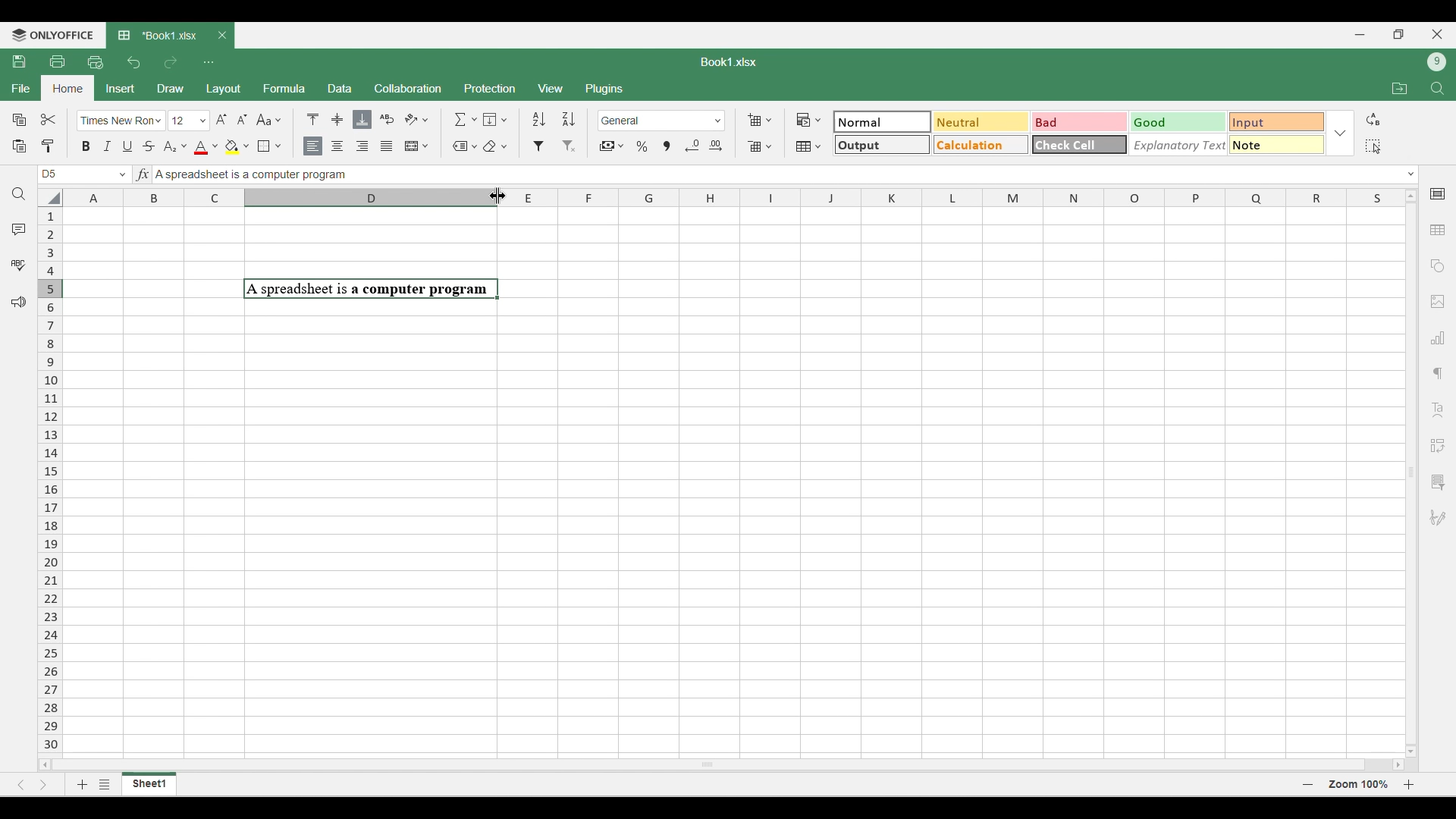 This screenshot has width=1456, height=819. Describe the element at coordinates (170, 62) in the screenshot. I see `Redo` at that location.